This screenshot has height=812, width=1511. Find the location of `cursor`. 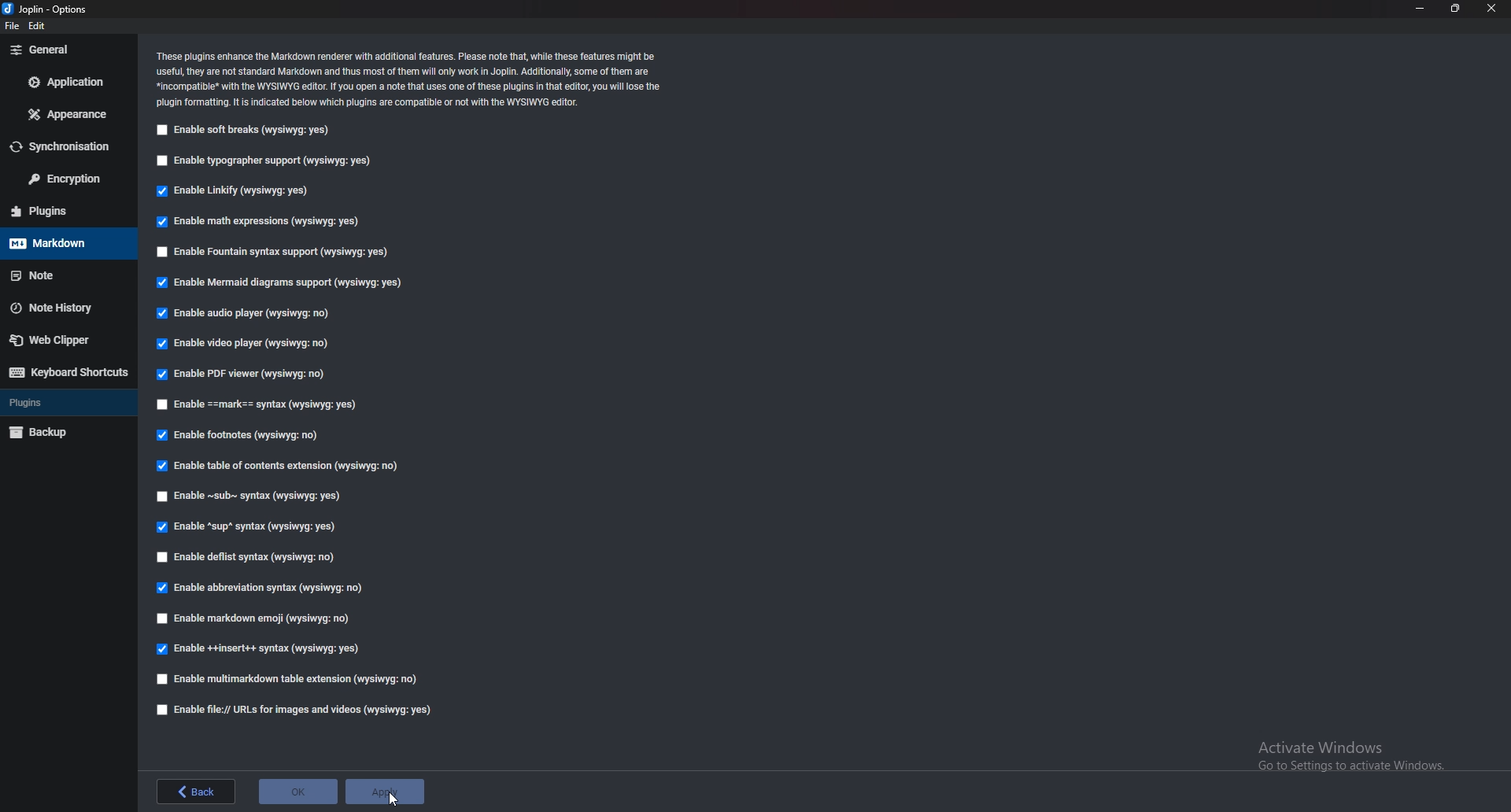

cursor is located at coordinates (394, 800).